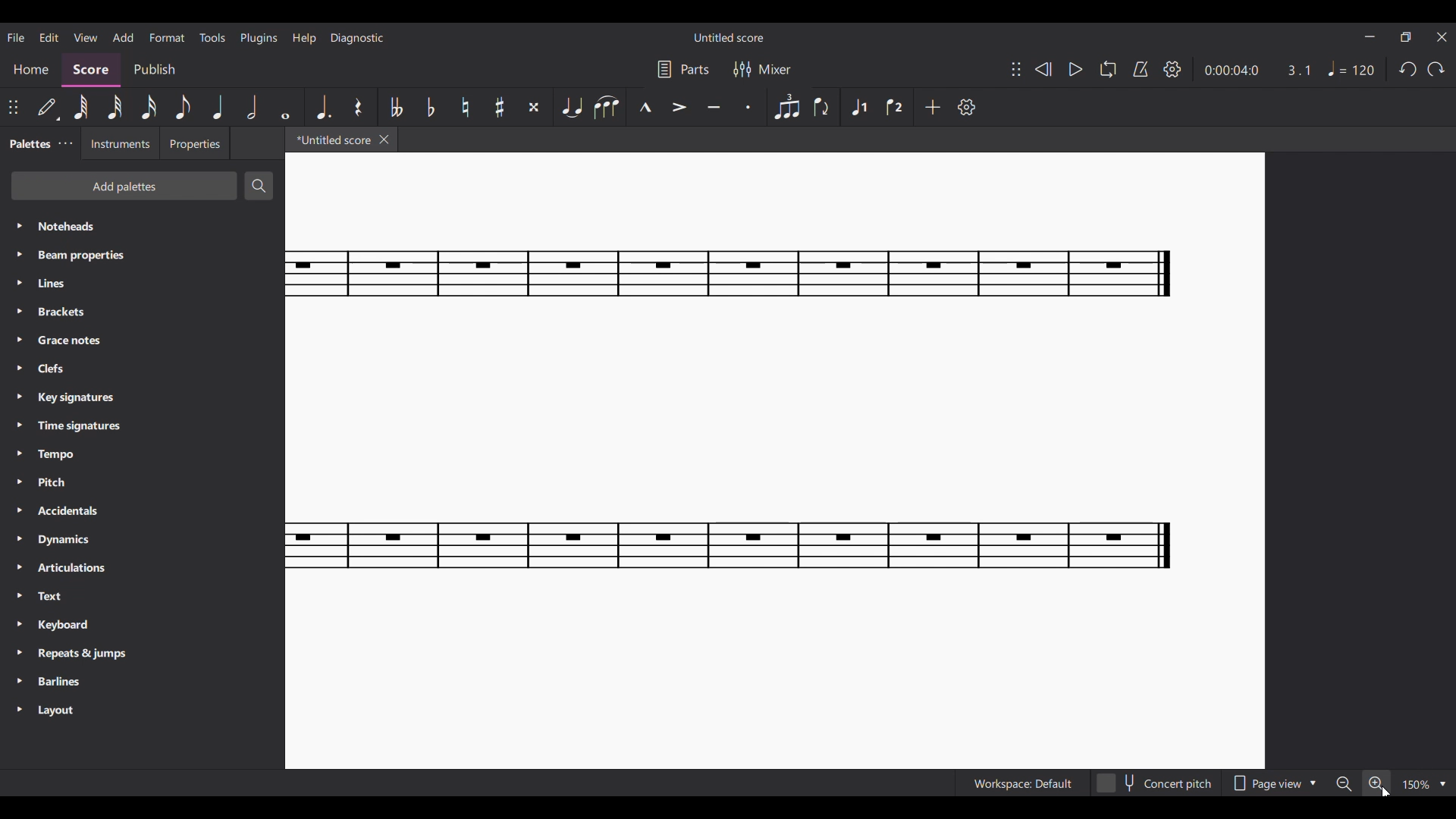 This screenshot has height=819, width=1456. I want to click on Slur, so click(606, 107).